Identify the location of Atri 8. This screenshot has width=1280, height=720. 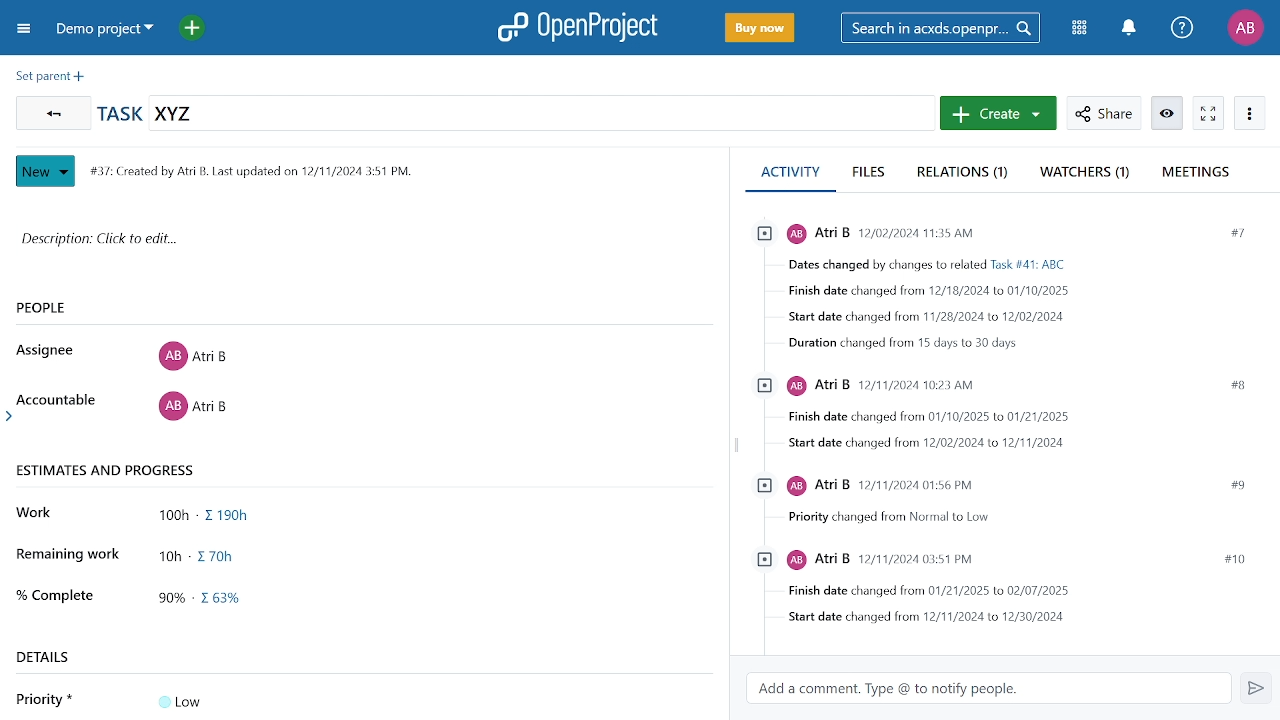
(198, 404).